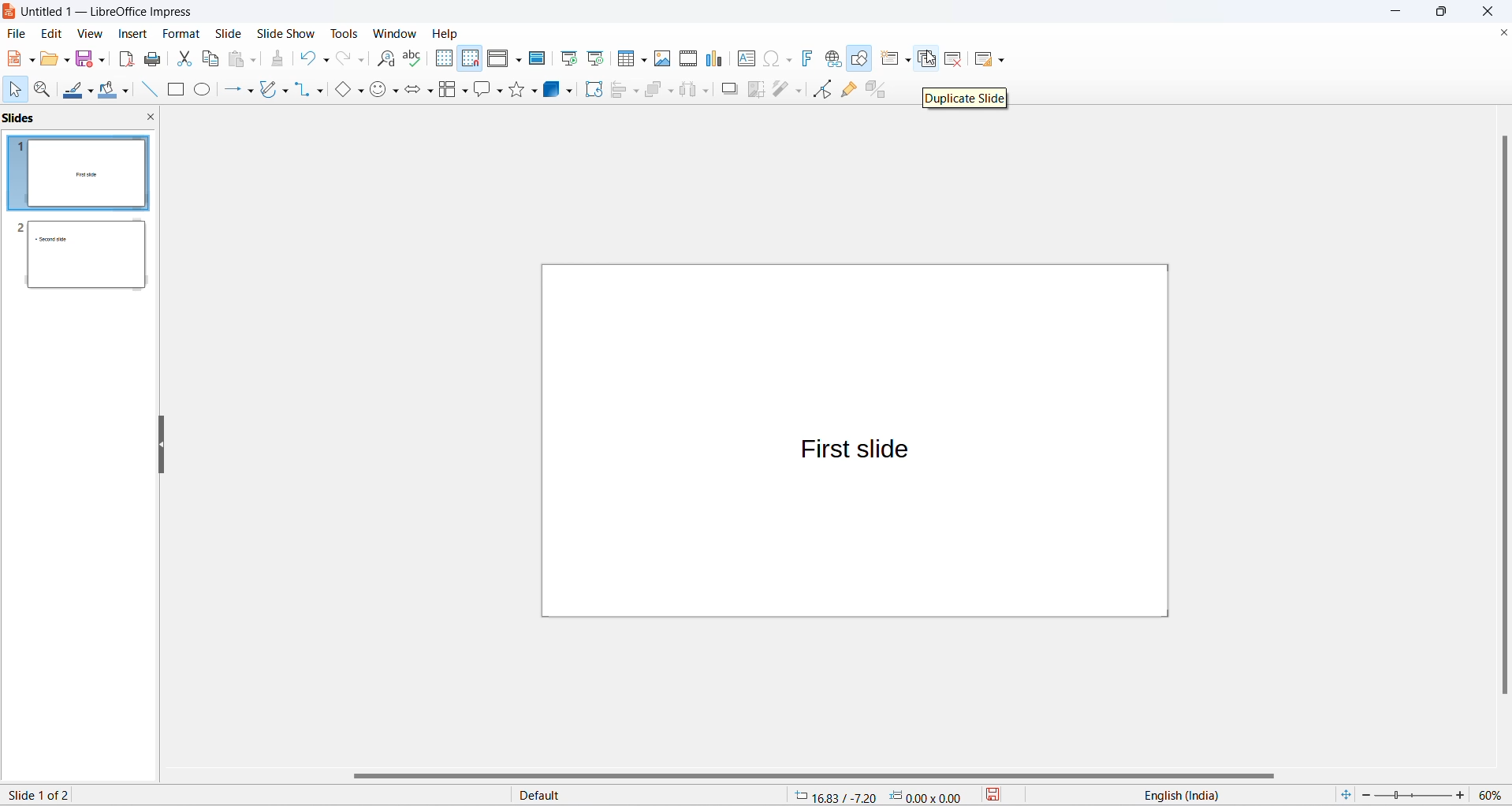  What do you see at coordinates (831, 58) in the screenshot?
I see `insert hyperlinks` at bounding box center [831, 58].